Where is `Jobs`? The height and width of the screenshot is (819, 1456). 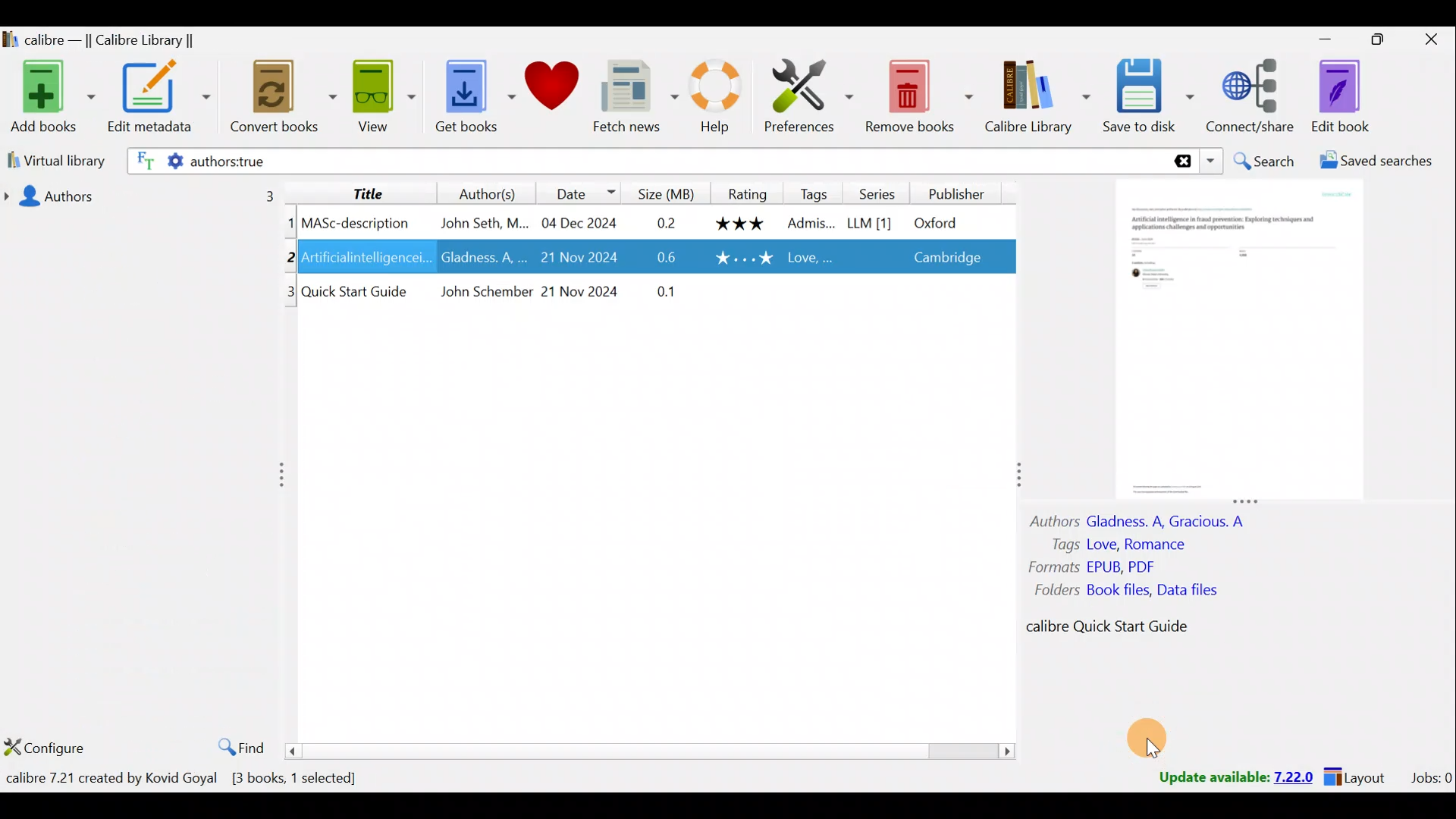 Jobs is located at coordinates (1430, 777).